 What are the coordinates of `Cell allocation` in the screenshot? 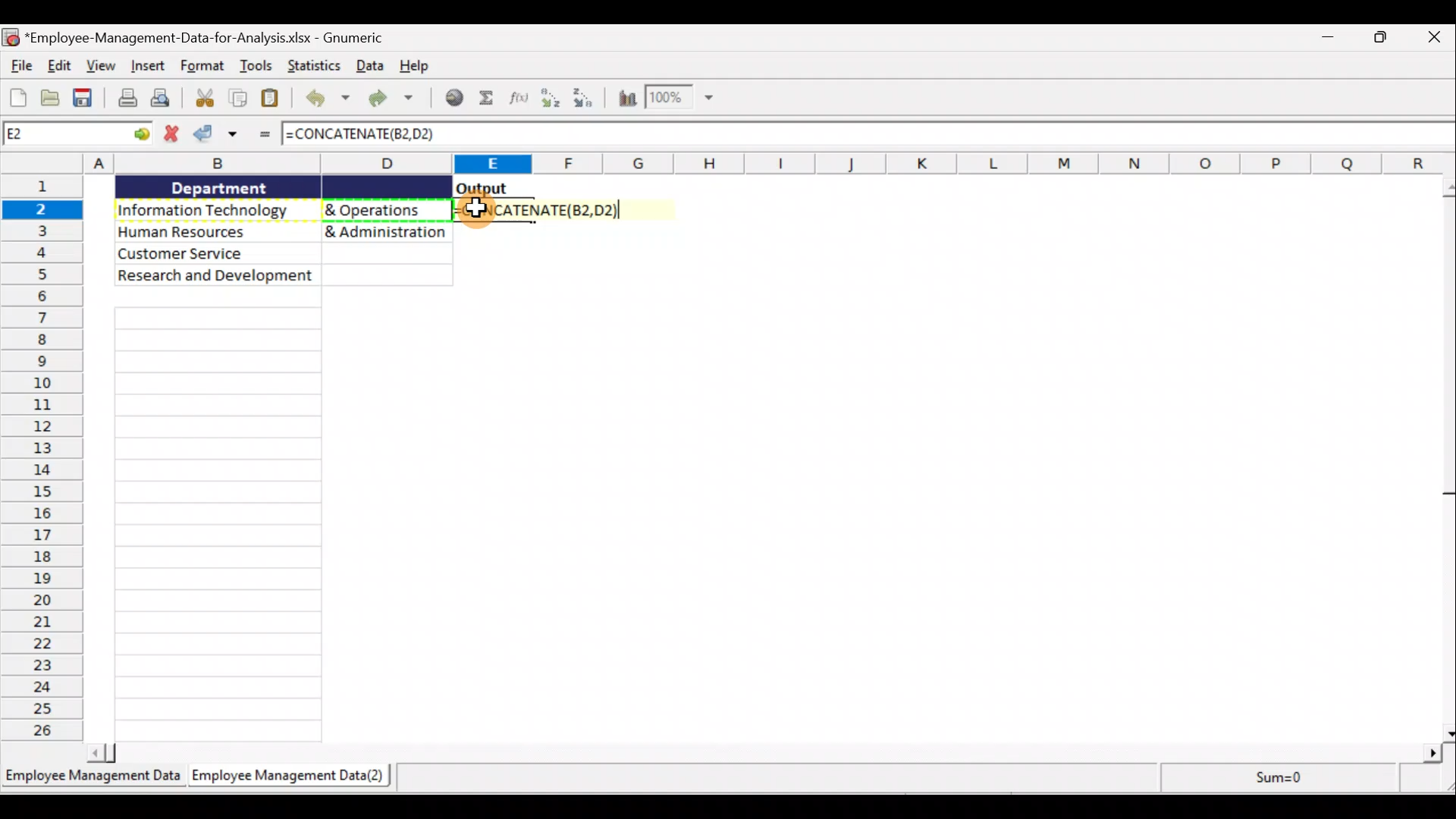 It's located at (77, 133).